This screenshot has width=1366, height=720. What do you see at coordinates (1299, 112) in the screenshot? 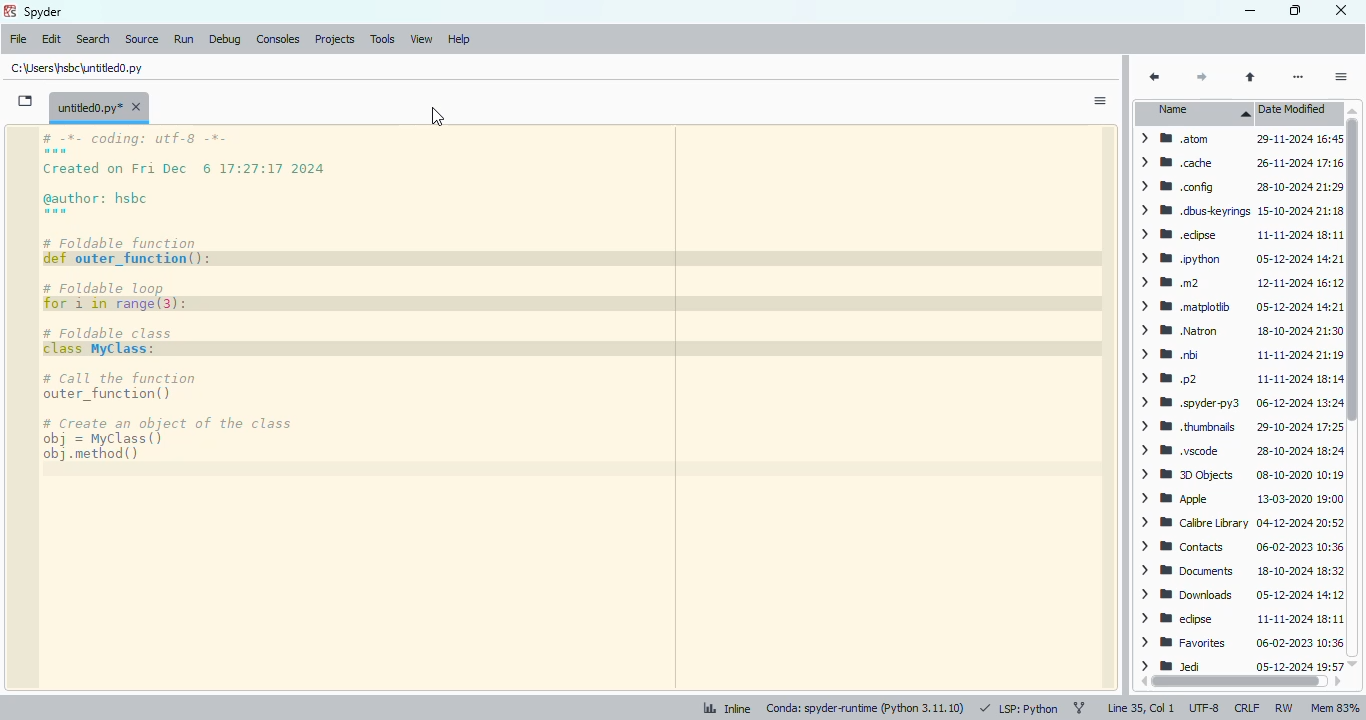
I see `date modified` at bounding box center [1299, 112].